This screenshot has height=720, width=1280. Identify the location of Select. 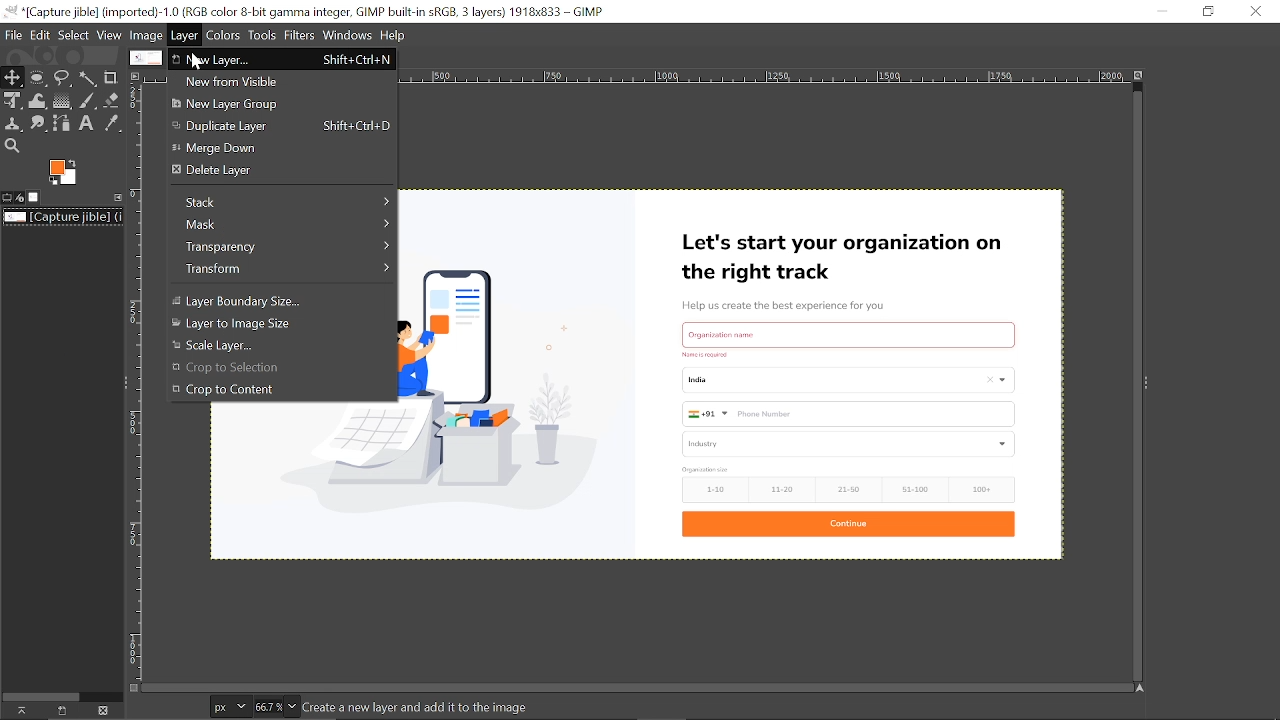
(75, 35).